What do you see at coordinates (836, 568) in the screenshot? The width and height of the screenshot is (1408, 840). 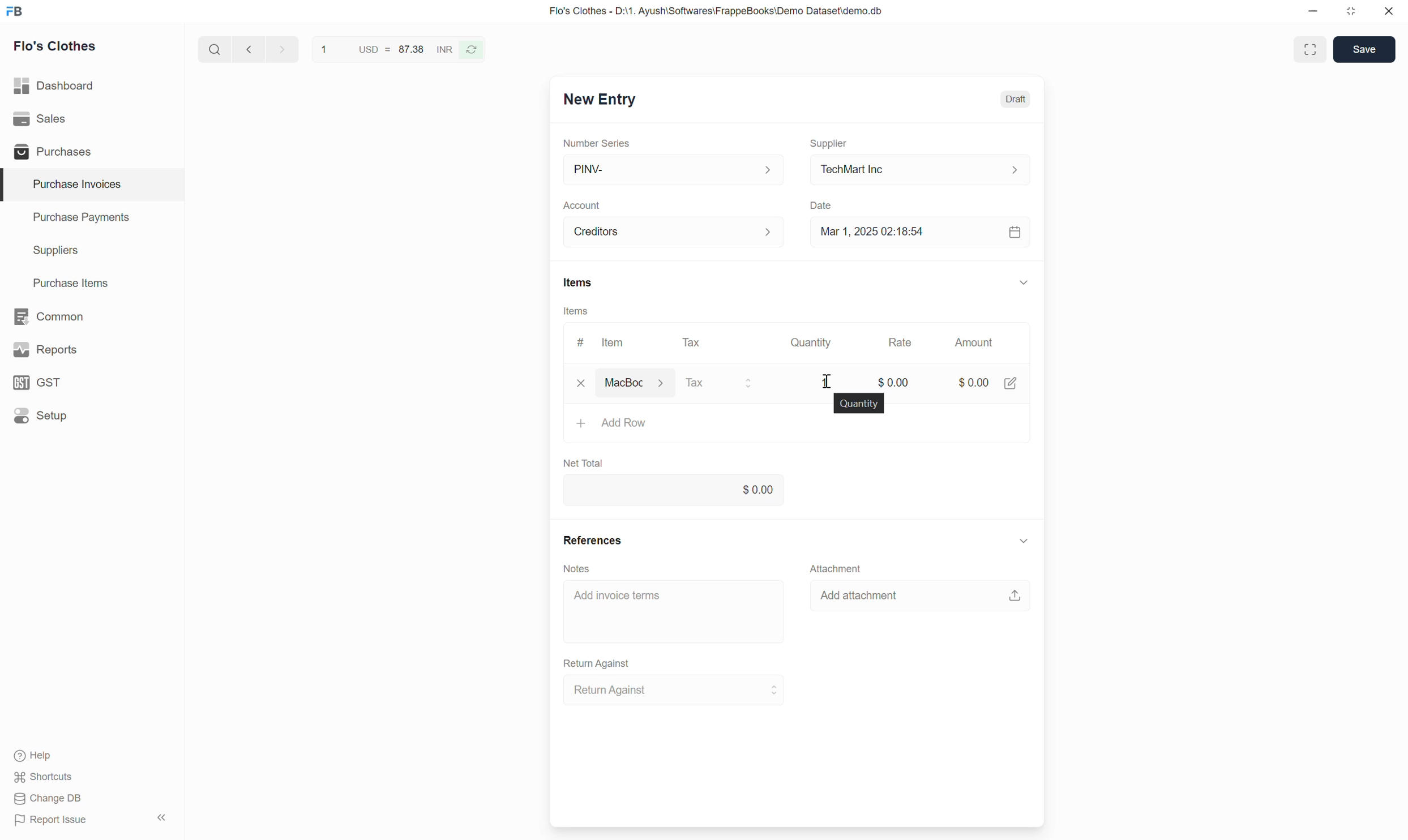 I see `Attachment` at bounding box center [836, 568].